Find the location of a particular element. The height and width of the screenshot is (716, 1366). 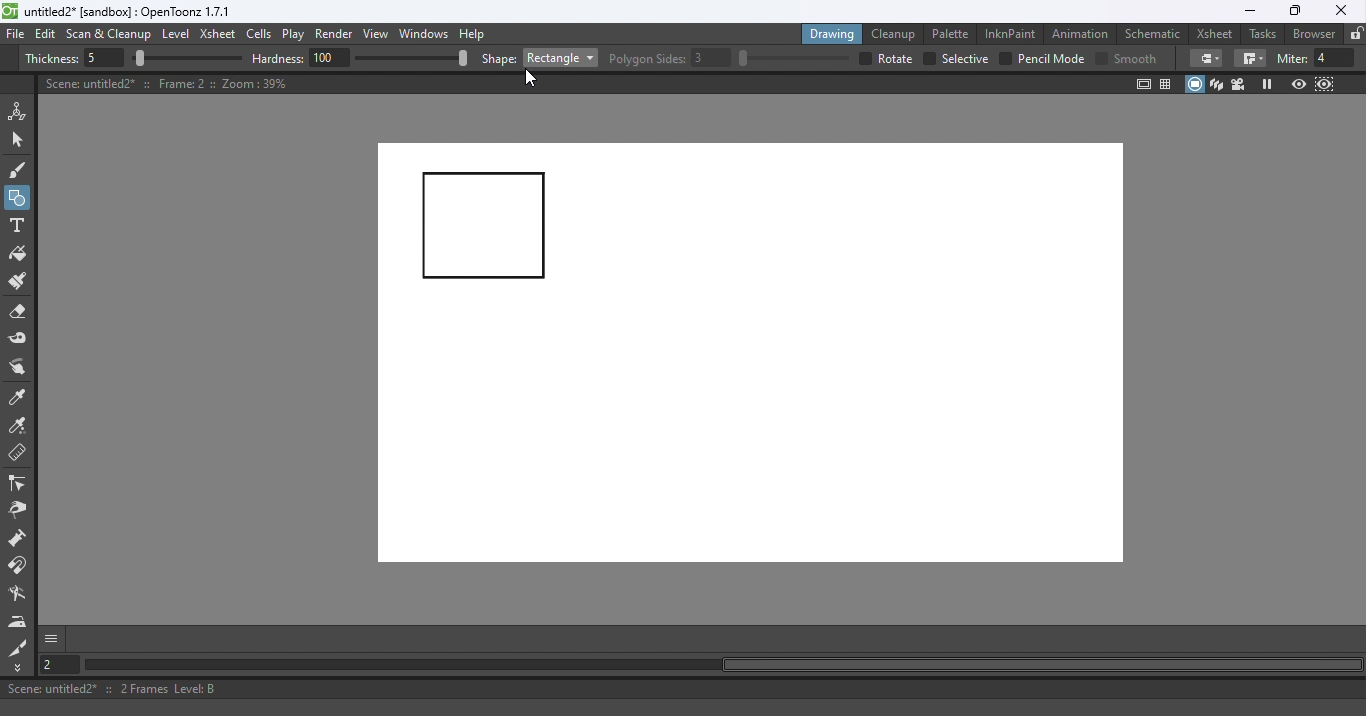

Windows is located at coordinates (425, 35).